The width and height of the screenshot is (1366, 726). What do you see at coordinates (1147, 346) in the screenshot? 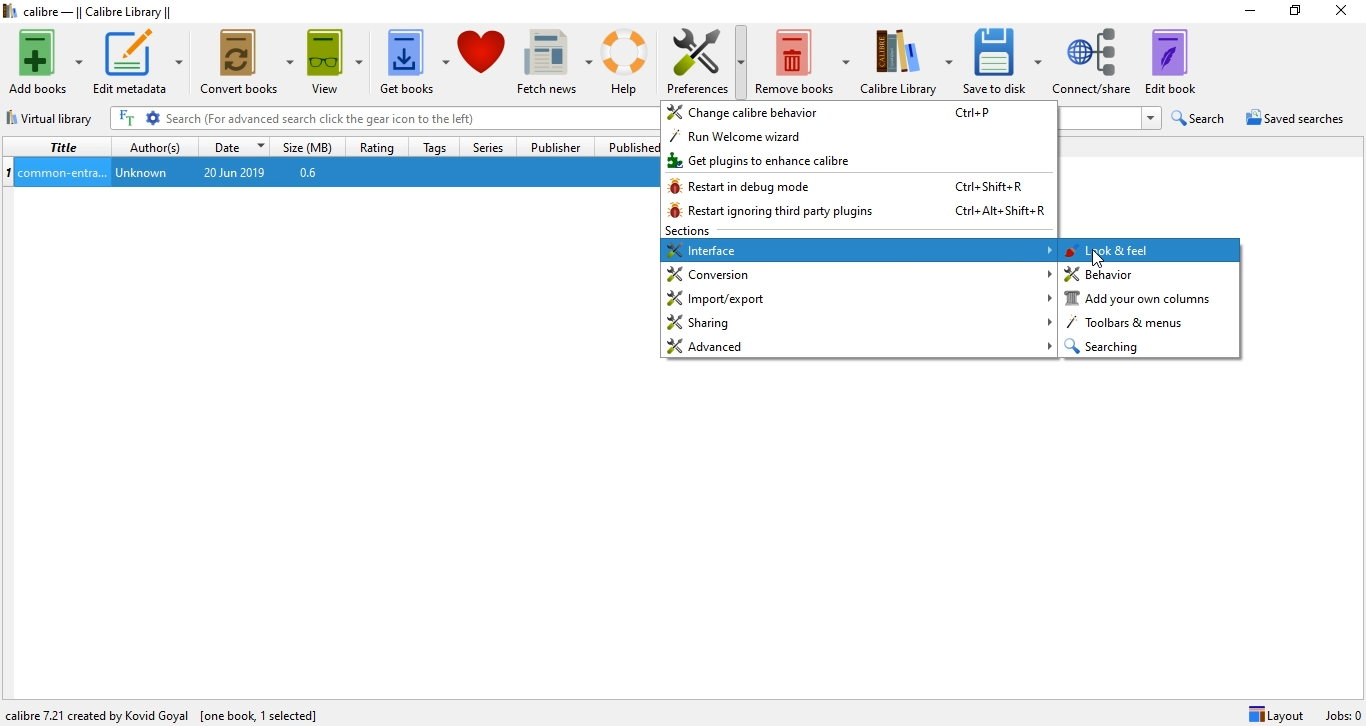
I see `searching` at bounding box center [1147, 346].